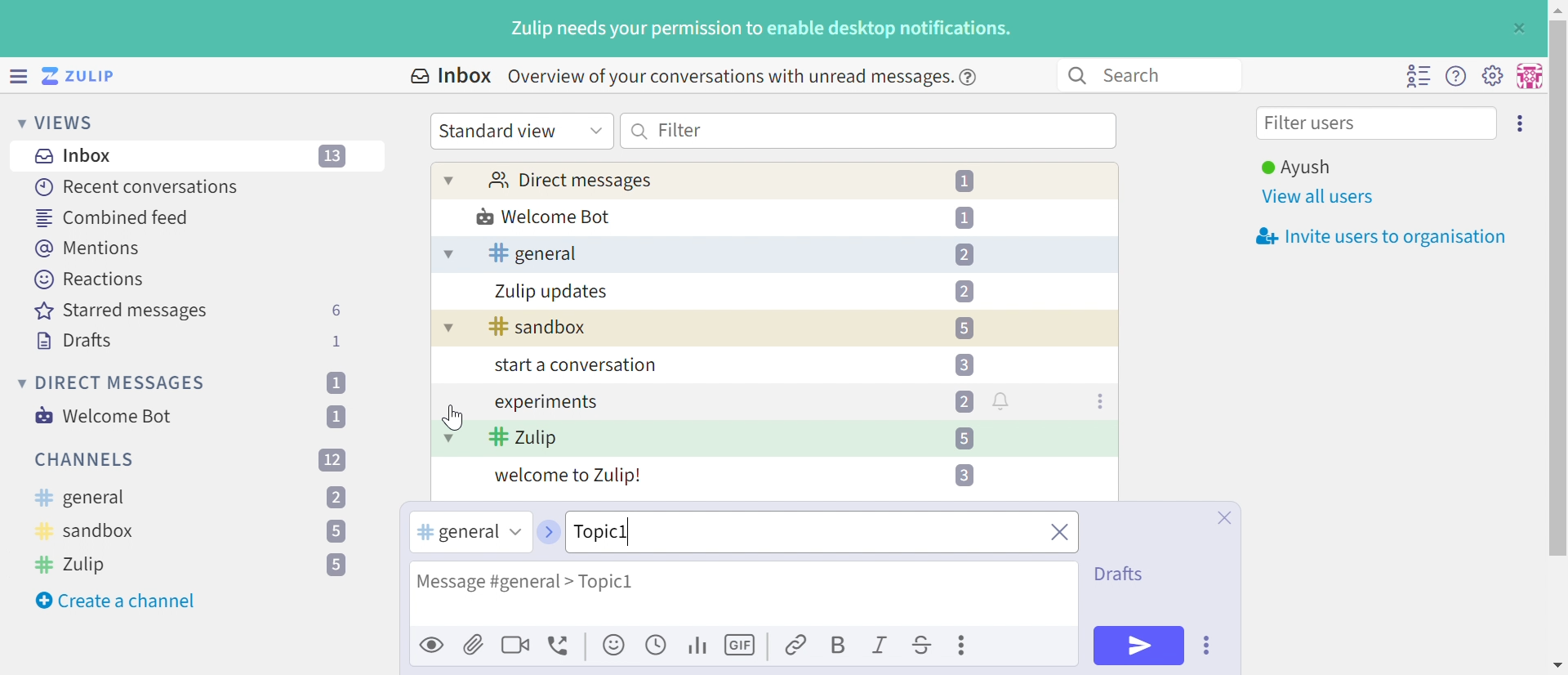 This screenshot has height=675, width=1568. What do you see at coordinates (727, 76) in the screenshot?
I see `Overview of your conversations with unread messages.` at bounding box center [727, 76].